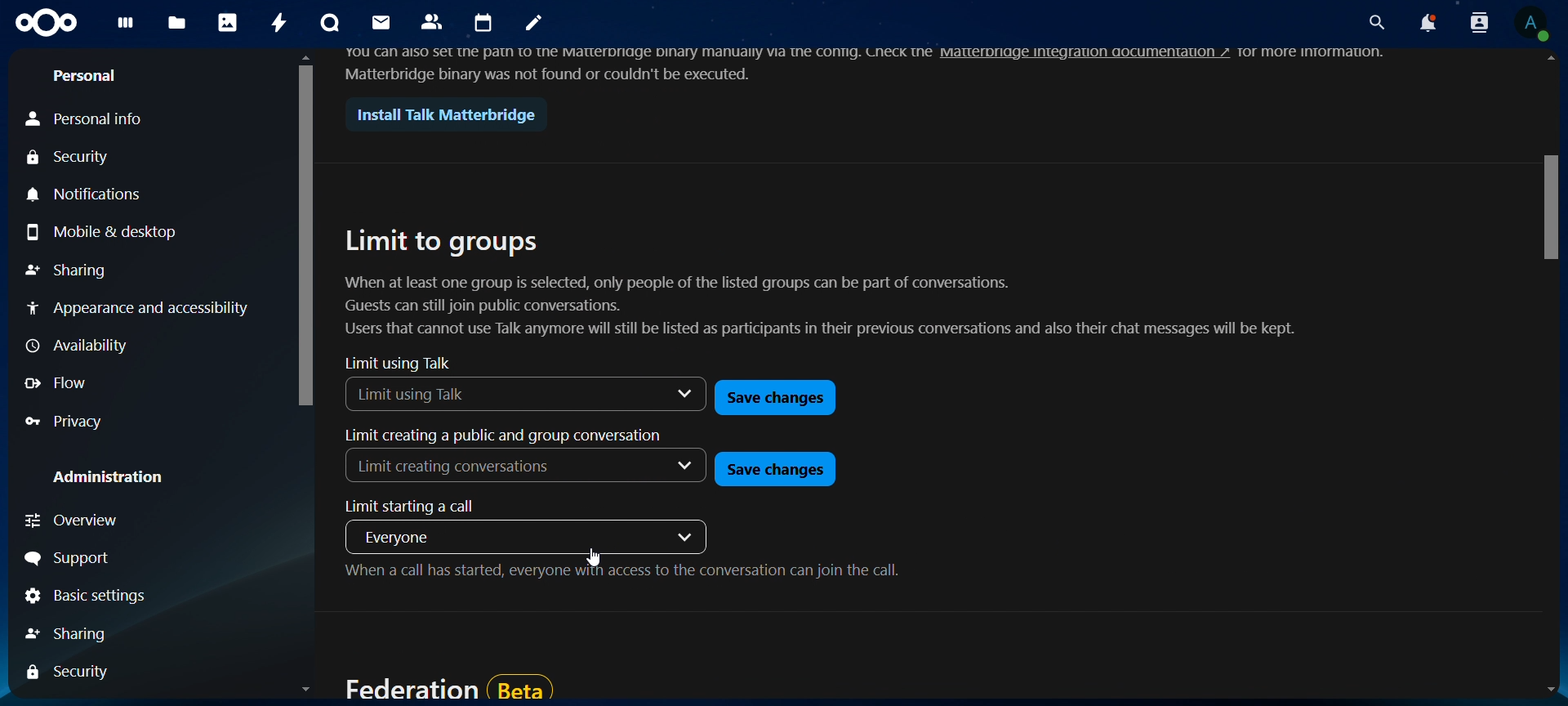 This screenshot has height=706, width=1568. What do you see at coordinates (68, 273) in the screenshot?
I see `Sharing` at bounding box center [68, 273].